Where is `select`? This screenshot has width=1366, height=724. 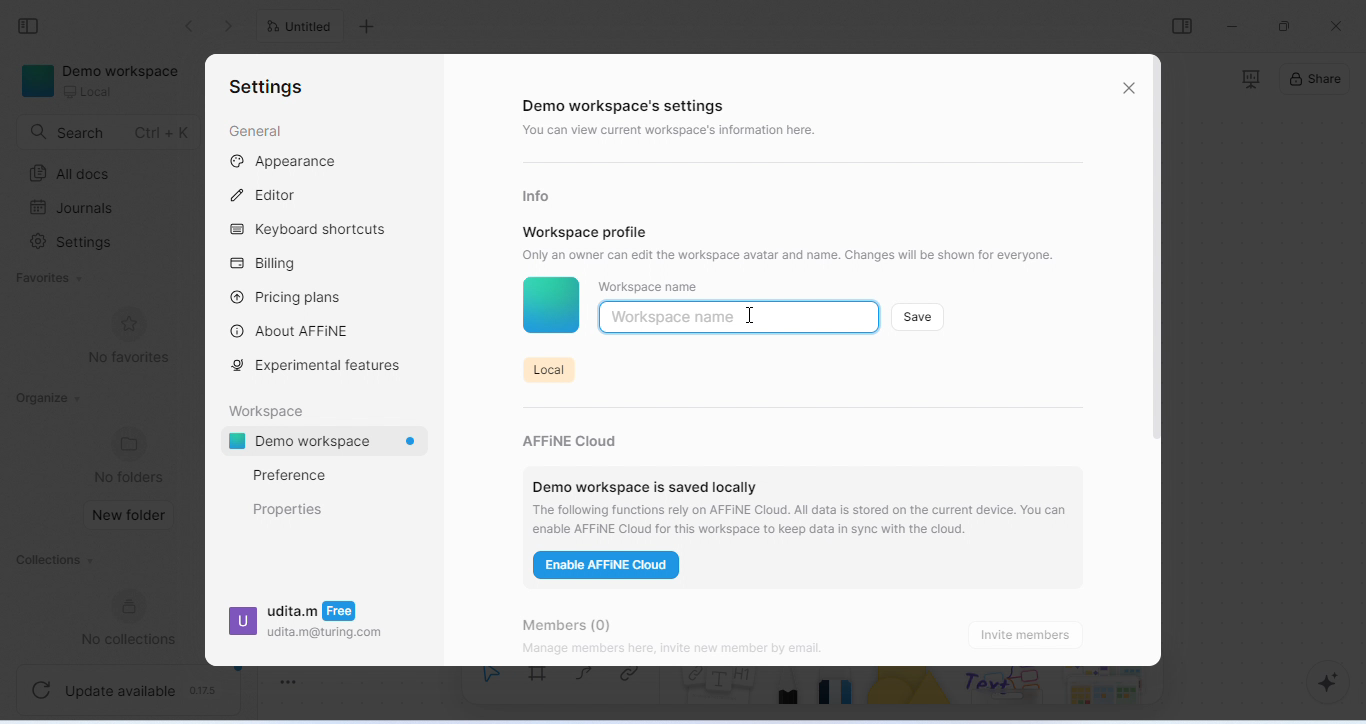
select is located at coordinates (490, 686).